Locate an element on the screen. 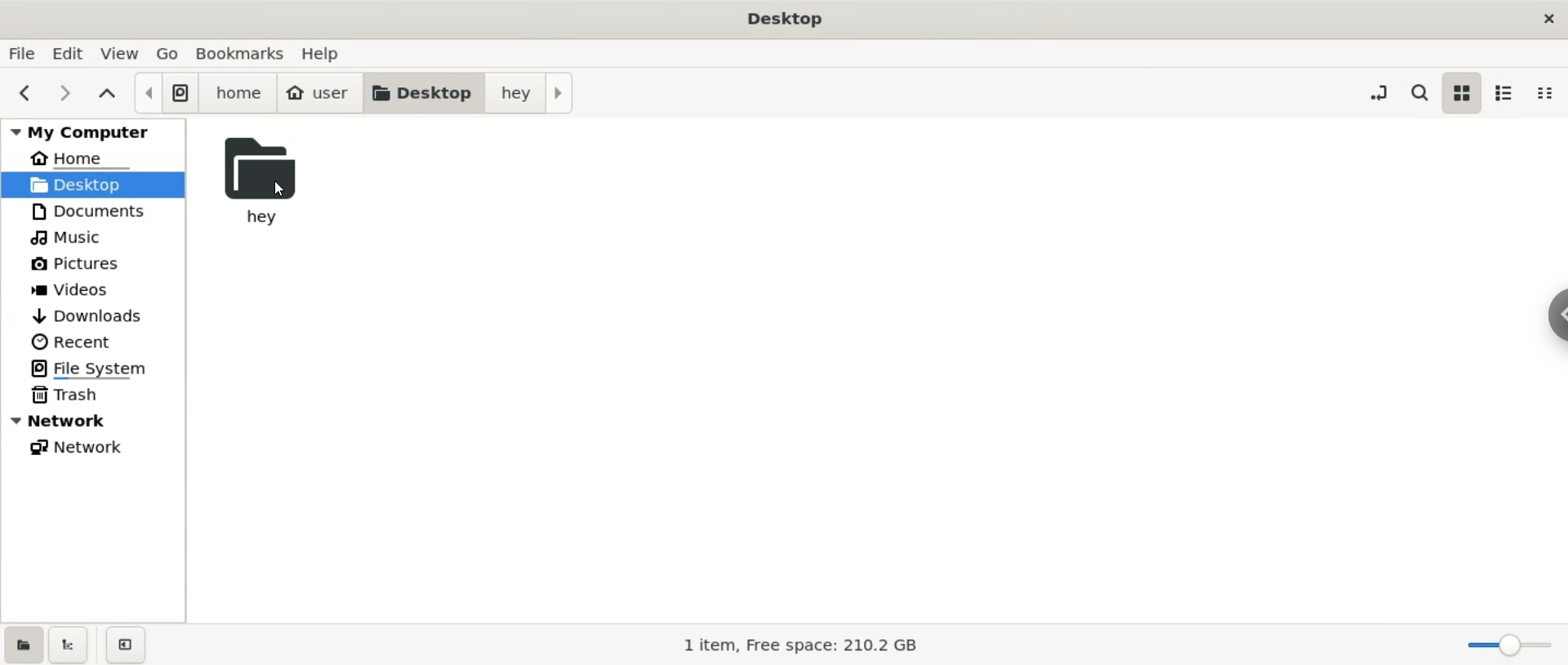 The height and width of the screenshot is (665, 1568). previous is located at coordinates (27, 94).